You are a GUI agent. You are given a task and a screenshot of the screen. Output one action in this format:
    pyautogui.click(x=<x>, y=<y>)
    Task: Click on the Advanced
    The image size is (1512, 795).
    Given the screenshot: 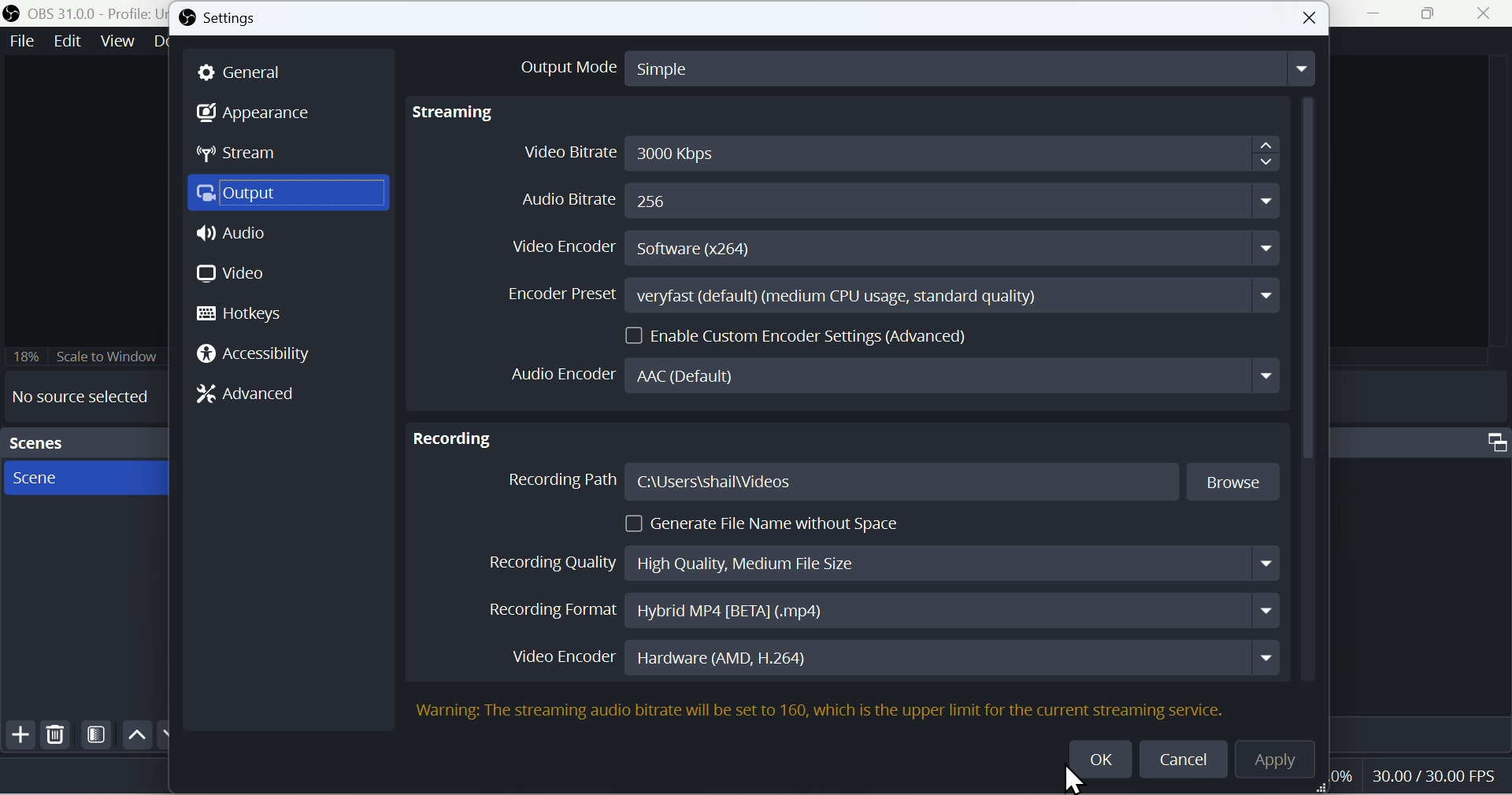 What is the action you would take?
    pyautogui.click(x=258, y=397)
    